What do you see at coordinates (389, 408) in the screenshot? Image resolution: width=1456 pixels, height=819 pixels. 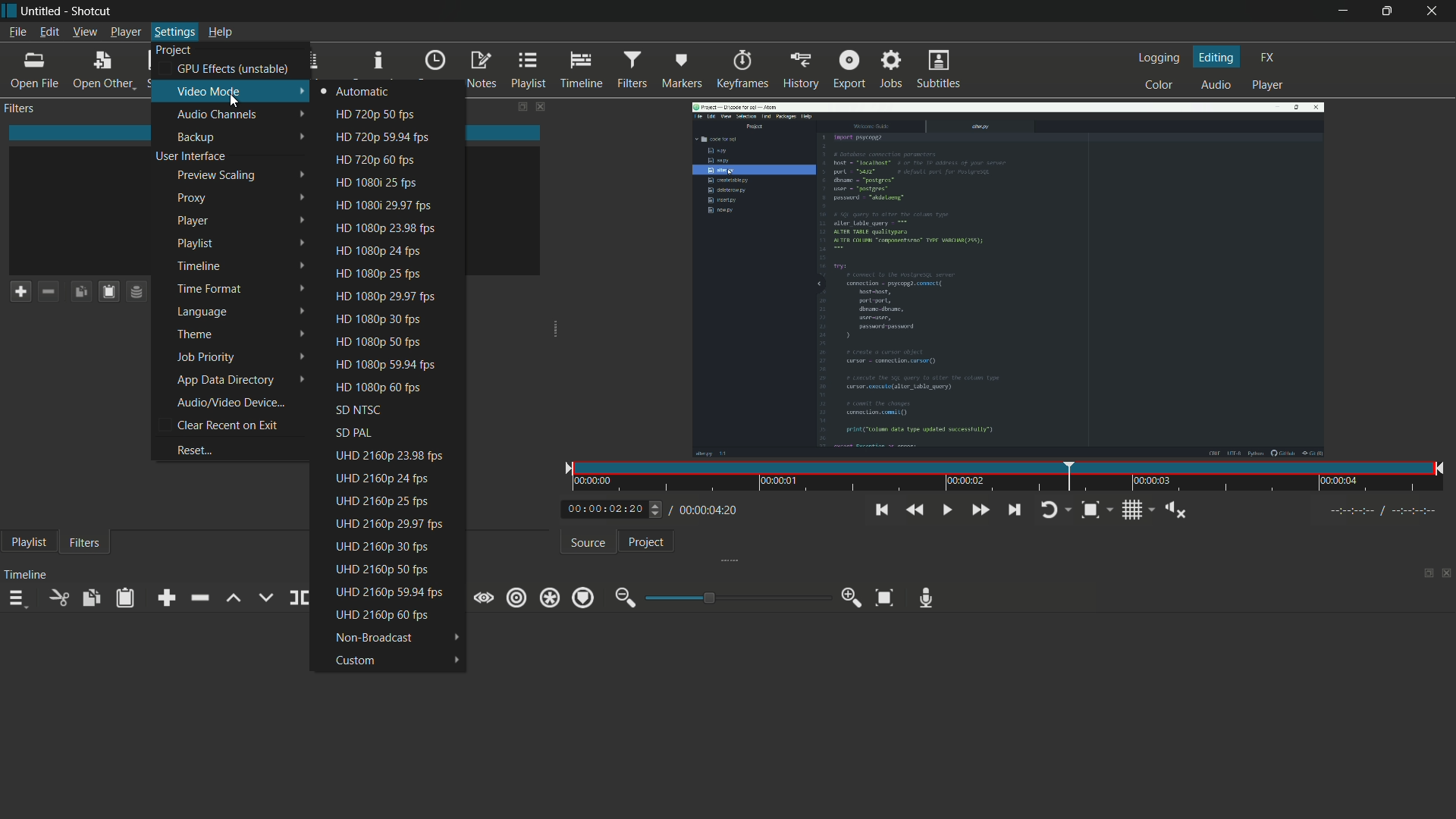 I see `sd ntsc` at bounding box center [389, 408].